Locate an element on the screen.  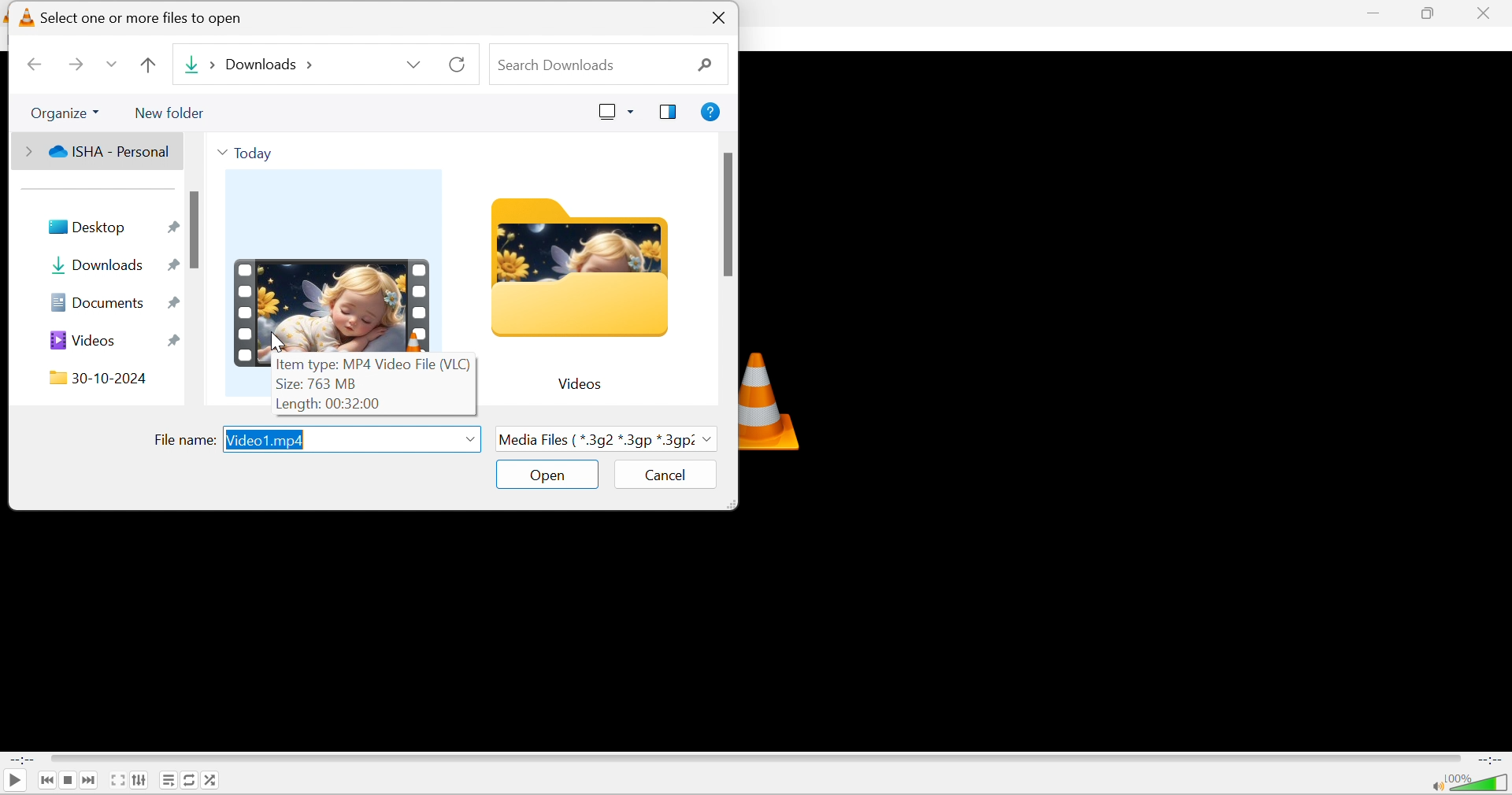
Up is located at coordinates (150, 65).